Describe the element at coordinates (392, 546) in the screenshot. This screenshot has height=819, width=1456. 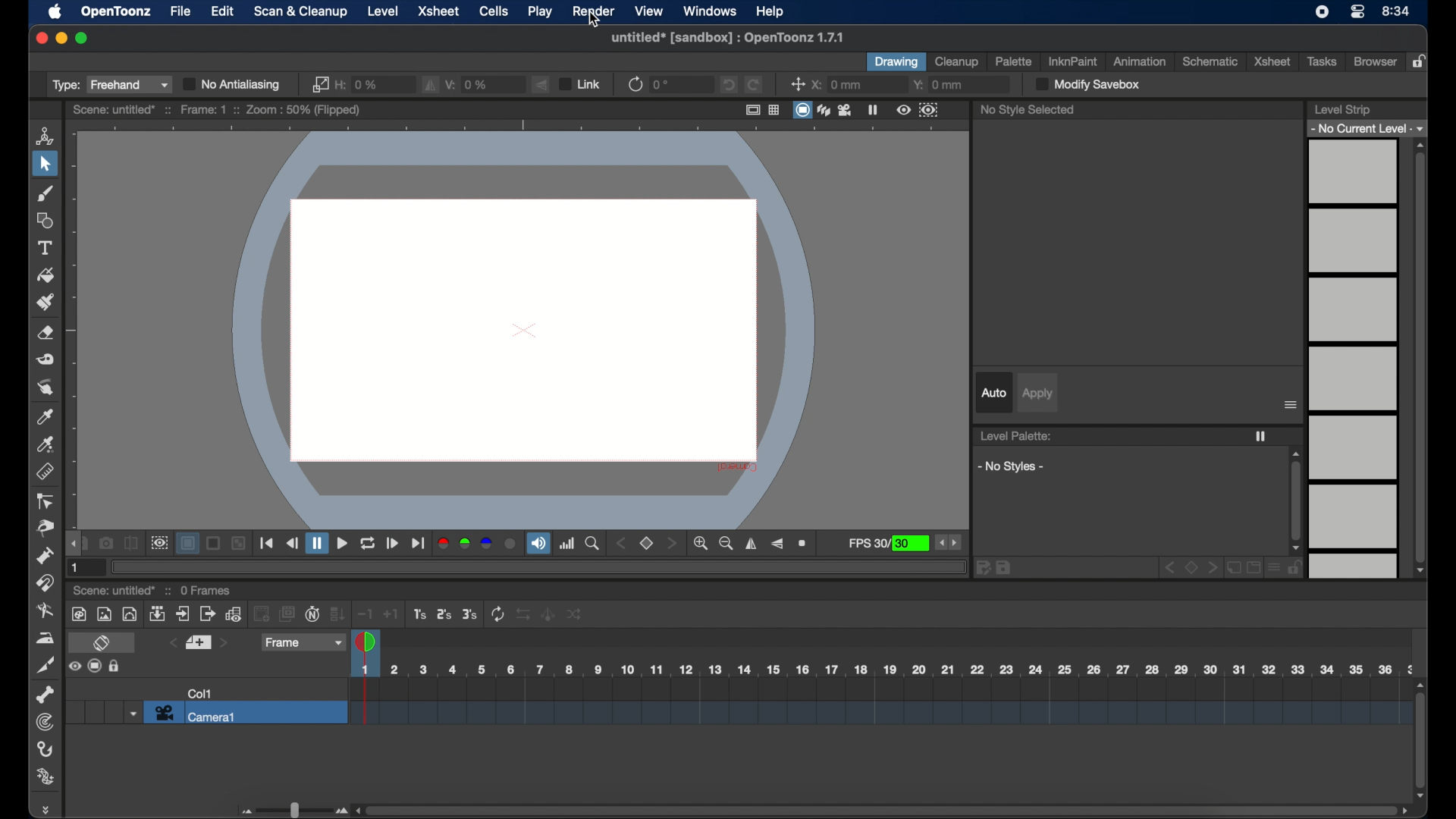
I see `` at that location.